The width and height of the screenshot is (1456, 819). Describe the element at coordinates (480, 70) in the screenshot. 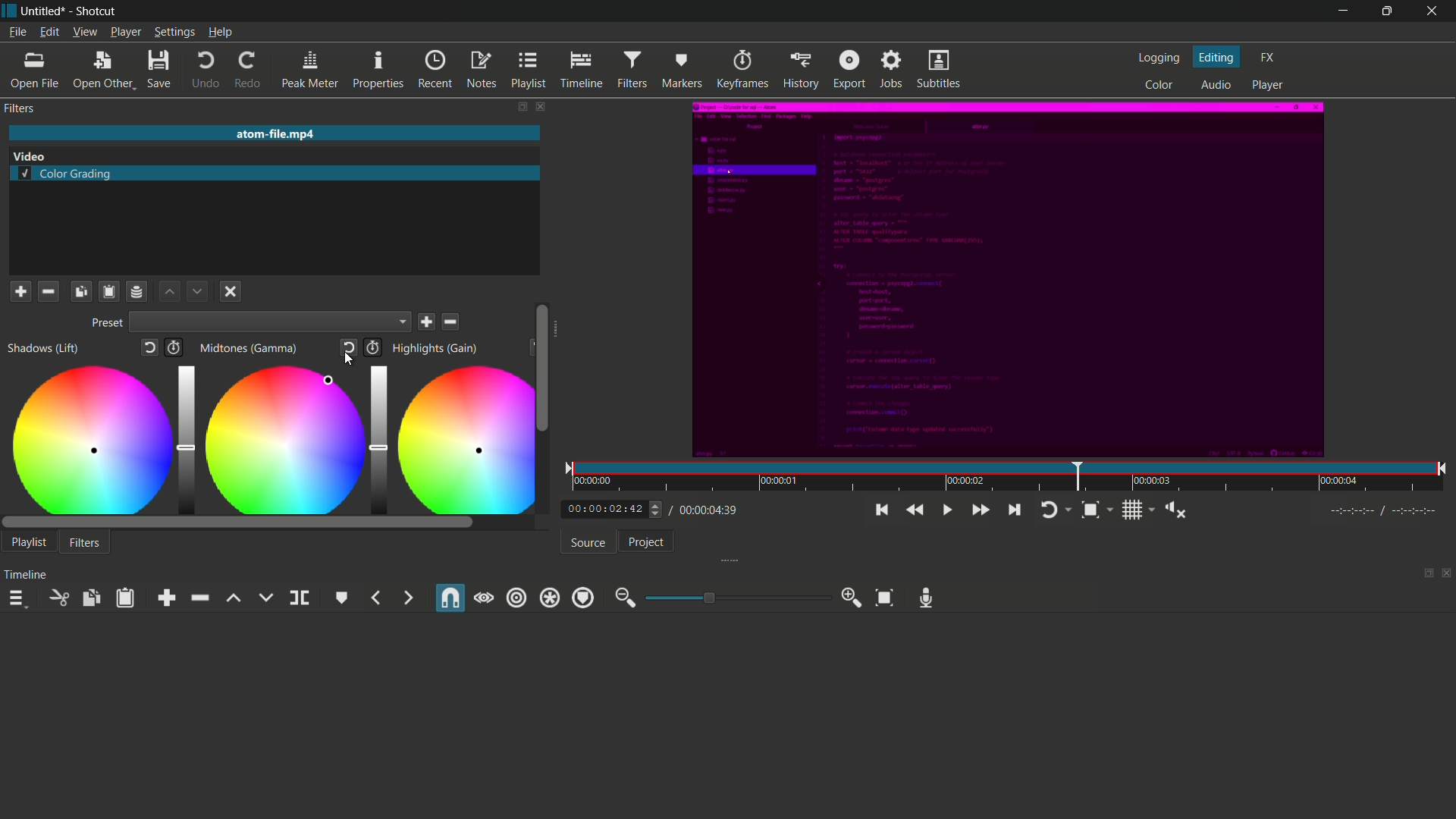

I see `notes` at that location.